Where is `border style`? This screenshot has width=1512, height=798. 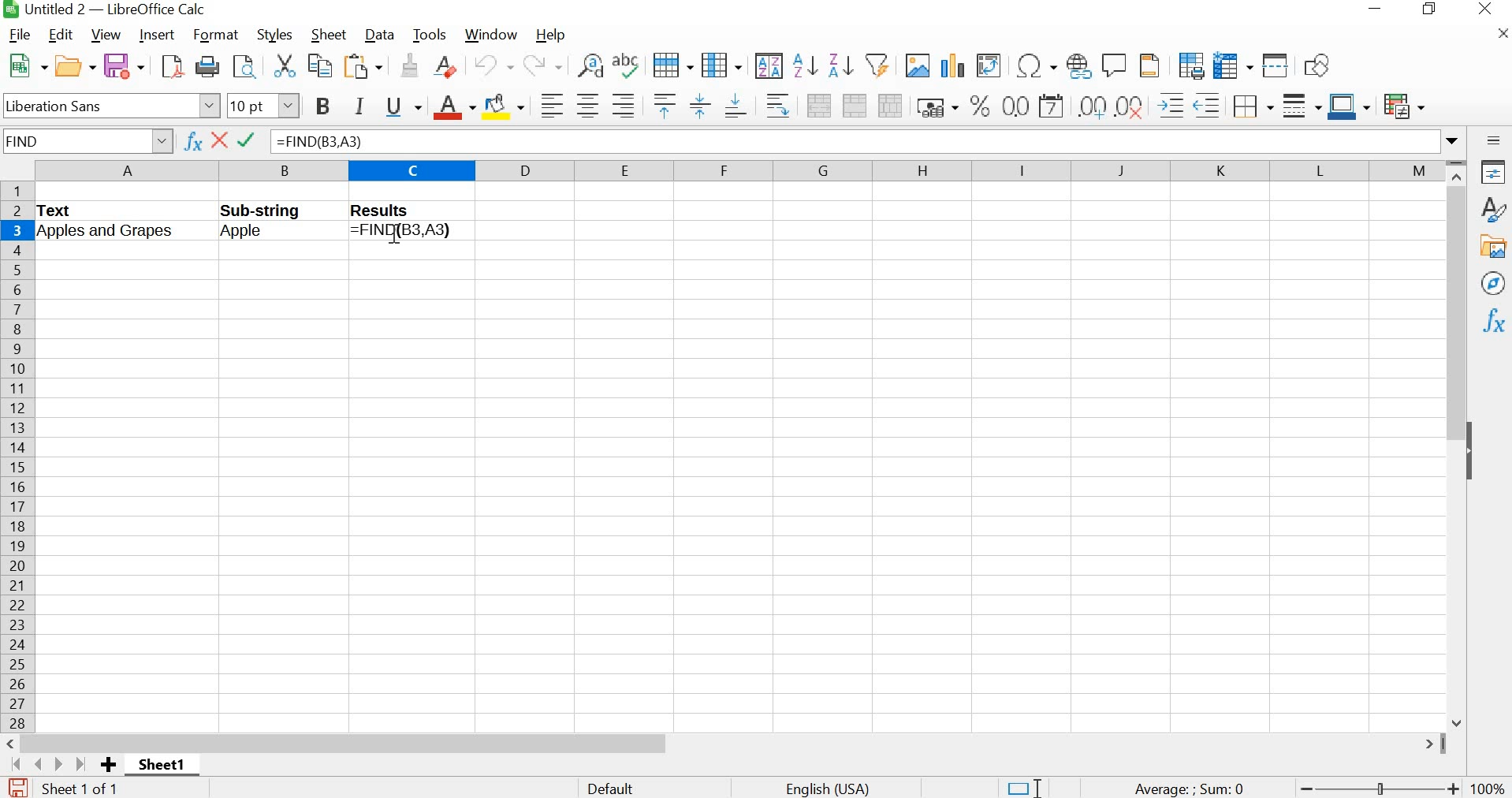
border style is located at coordinates (1300, 104).